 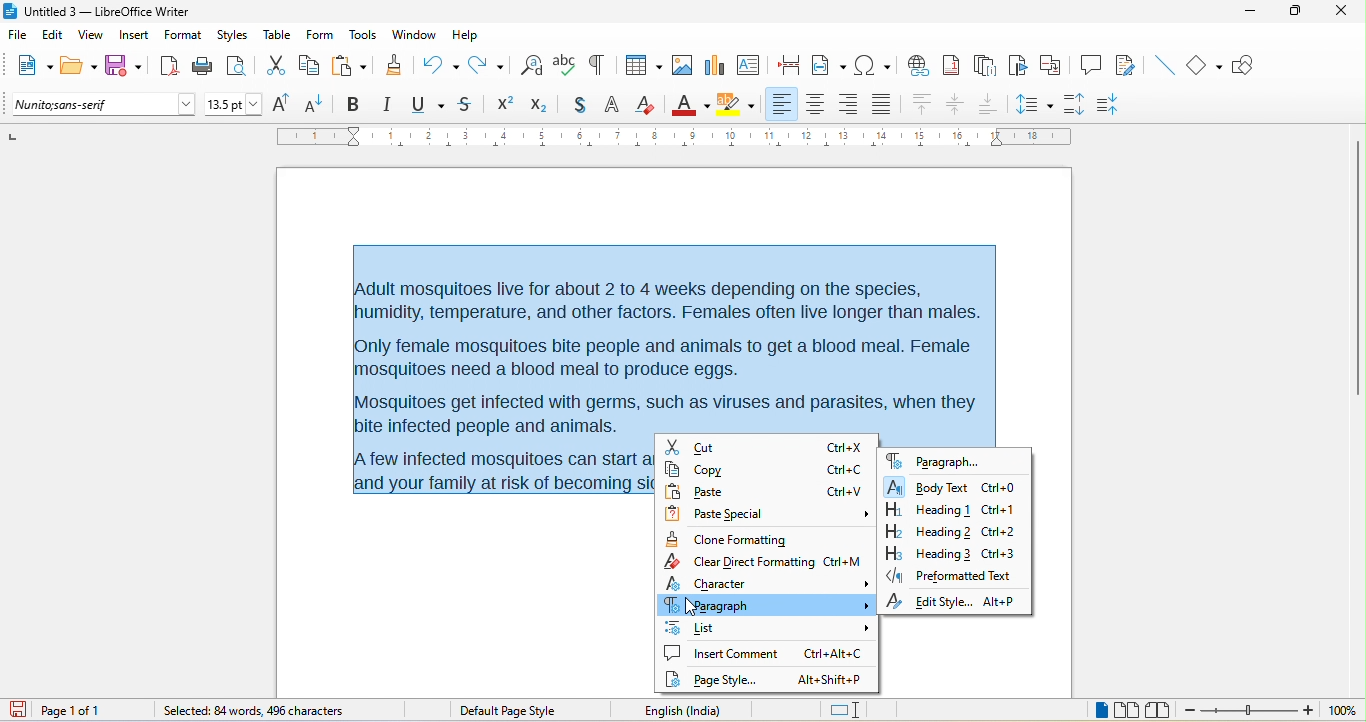 What do you see at coordinates (97, 12) in the screenshot?
I see `title` at bounding box center [97, 12].